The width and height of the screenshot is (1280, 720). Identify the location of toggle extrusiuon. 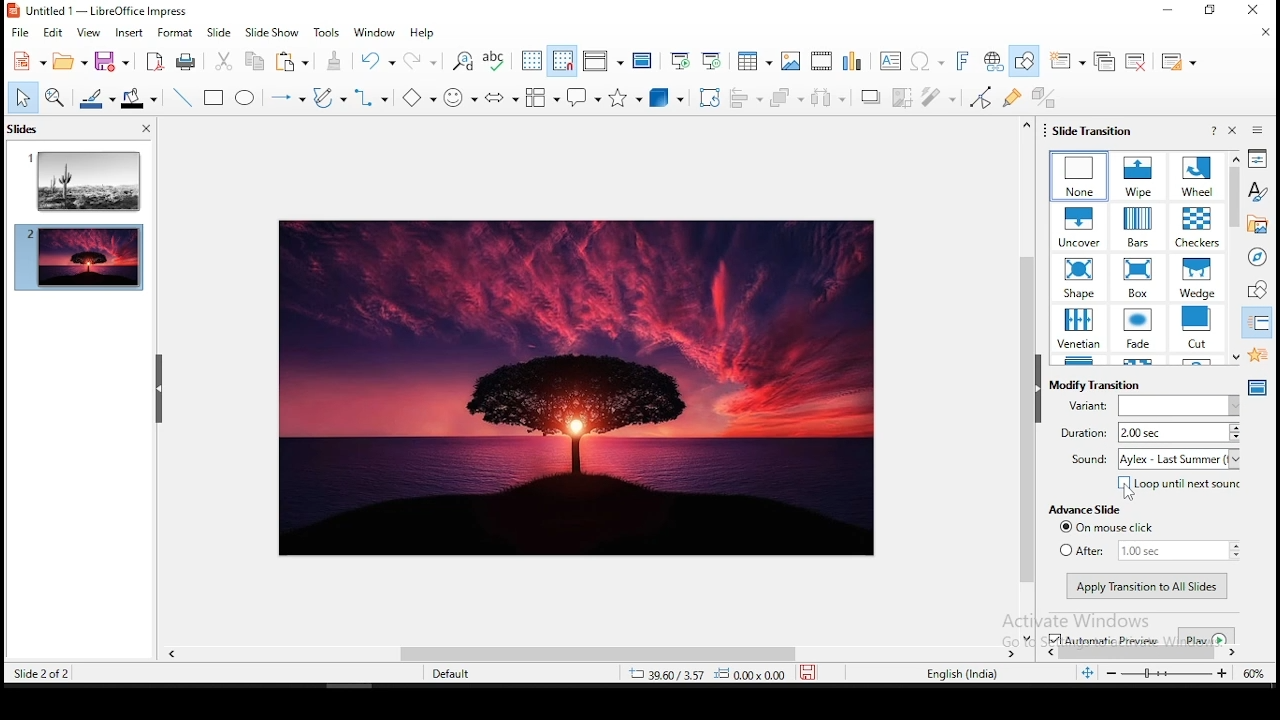
(1043, 97).